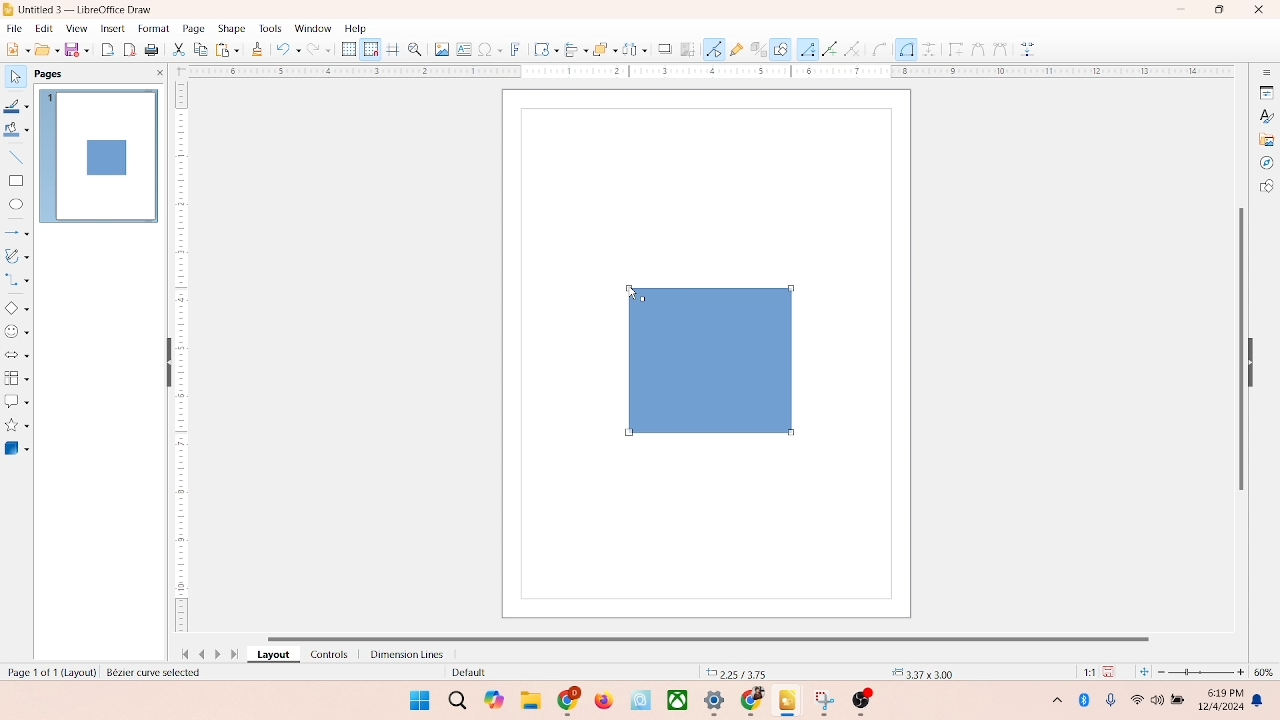 The height and width of the screenshot is (720, 1280). What do you see at coordinates (516, 47) in the screenshot?
I see `fontwork text` at bounding box center [516, 47].